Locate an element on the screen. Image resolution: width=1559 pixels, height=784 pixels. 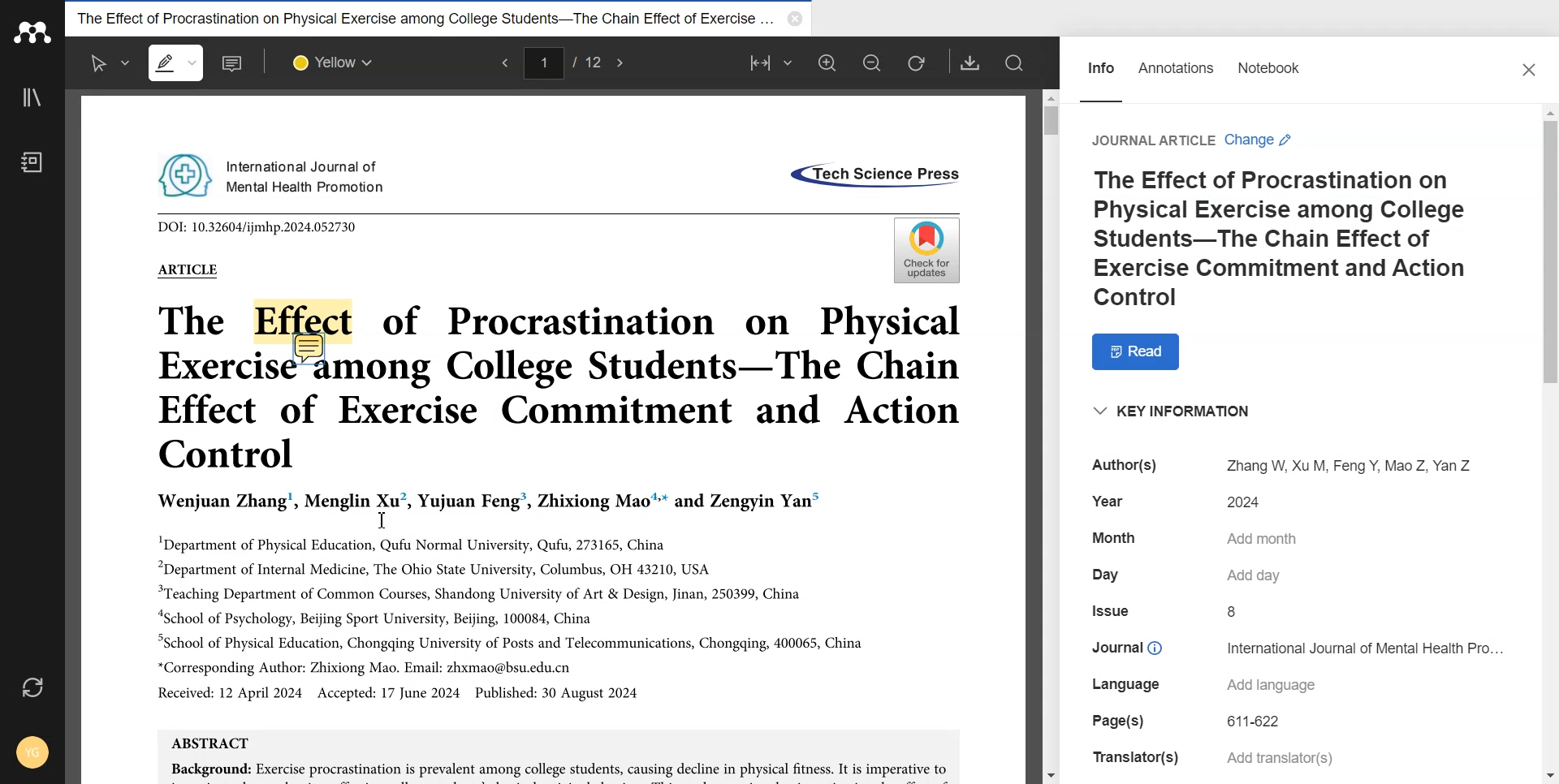
Day Add day is located at coordinates (1187, 575).